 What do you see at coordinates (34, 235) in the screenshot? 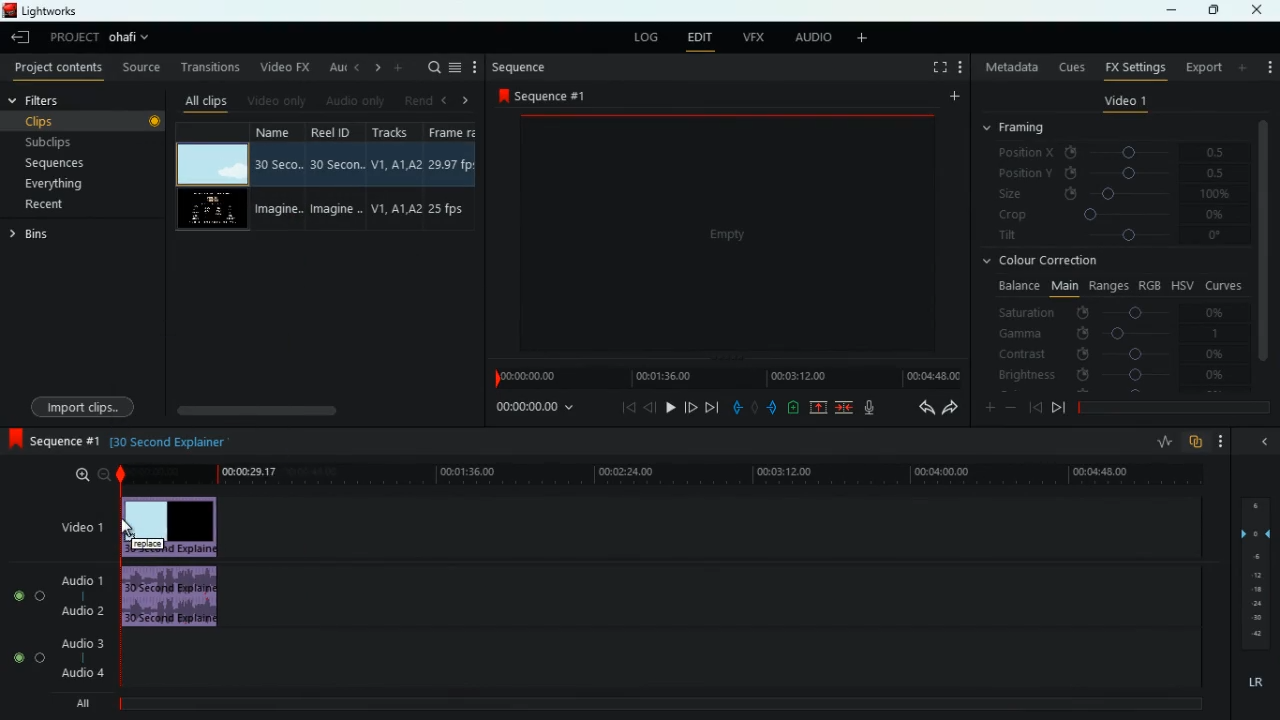
I see `bins` at bounding box center [34, 235].